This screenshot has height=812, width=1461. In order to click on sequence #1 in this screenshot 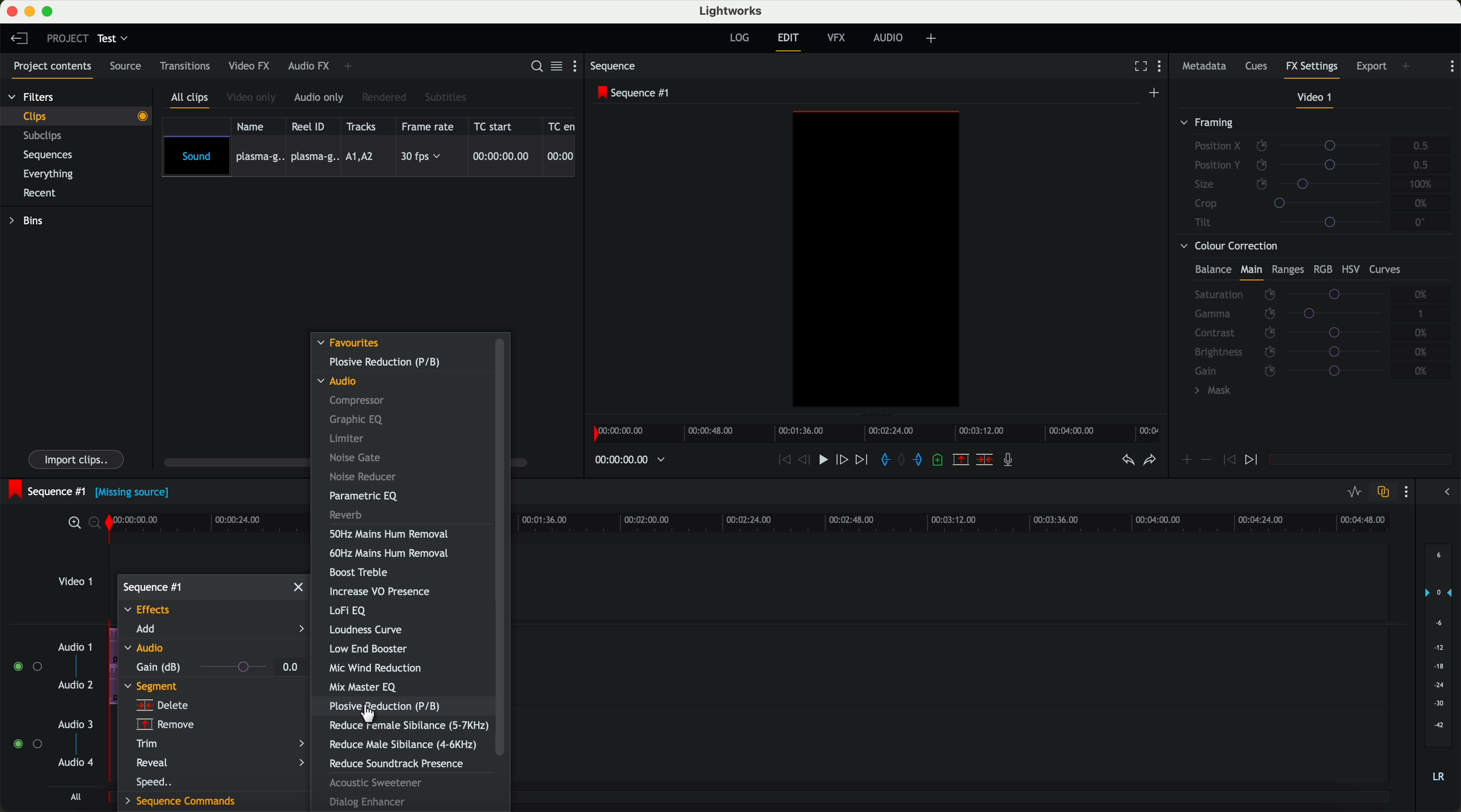, I will do `click(635, 94)`.